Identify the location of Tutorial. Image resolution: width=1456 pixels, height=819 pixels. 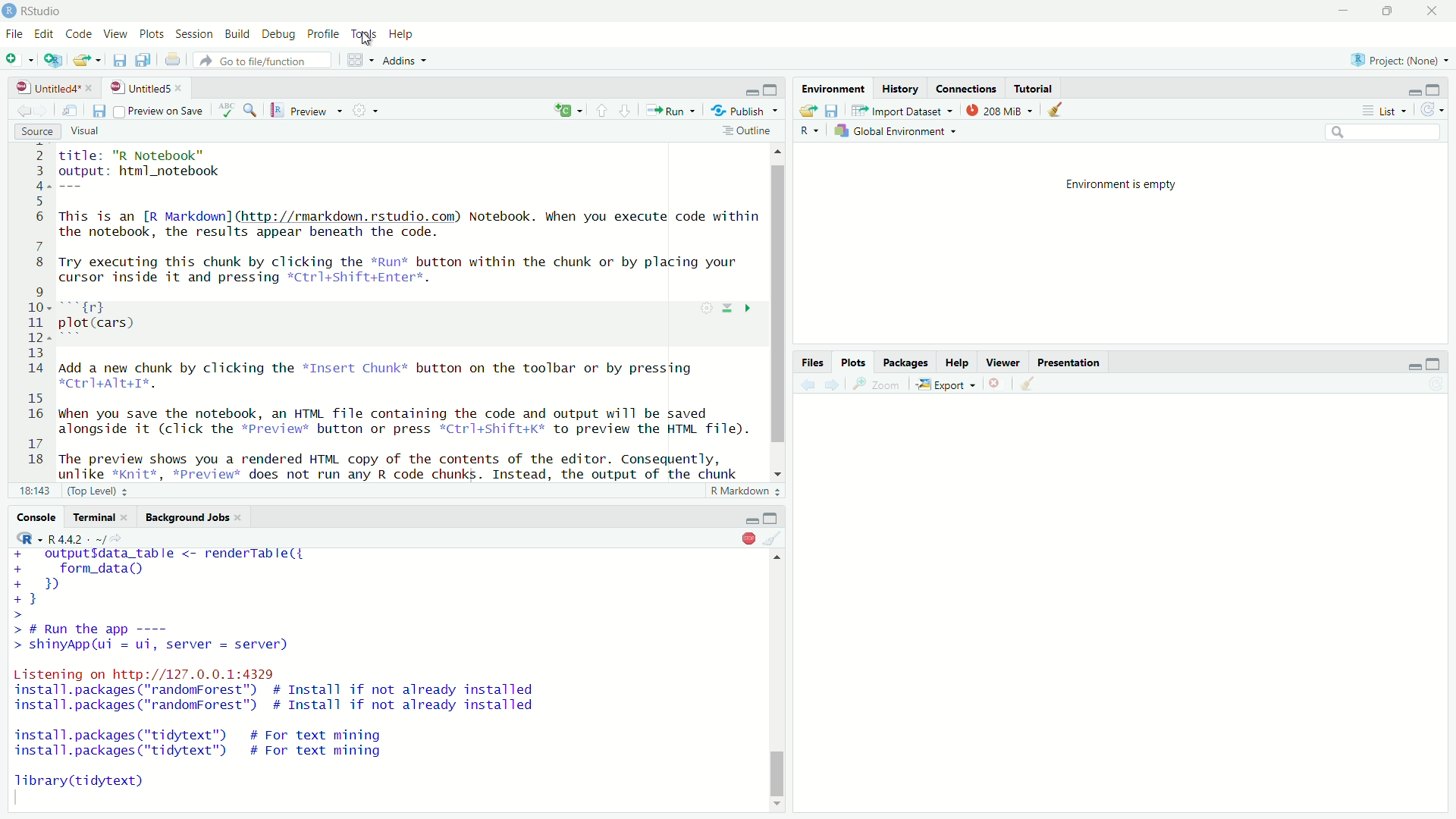
(1036, 88).